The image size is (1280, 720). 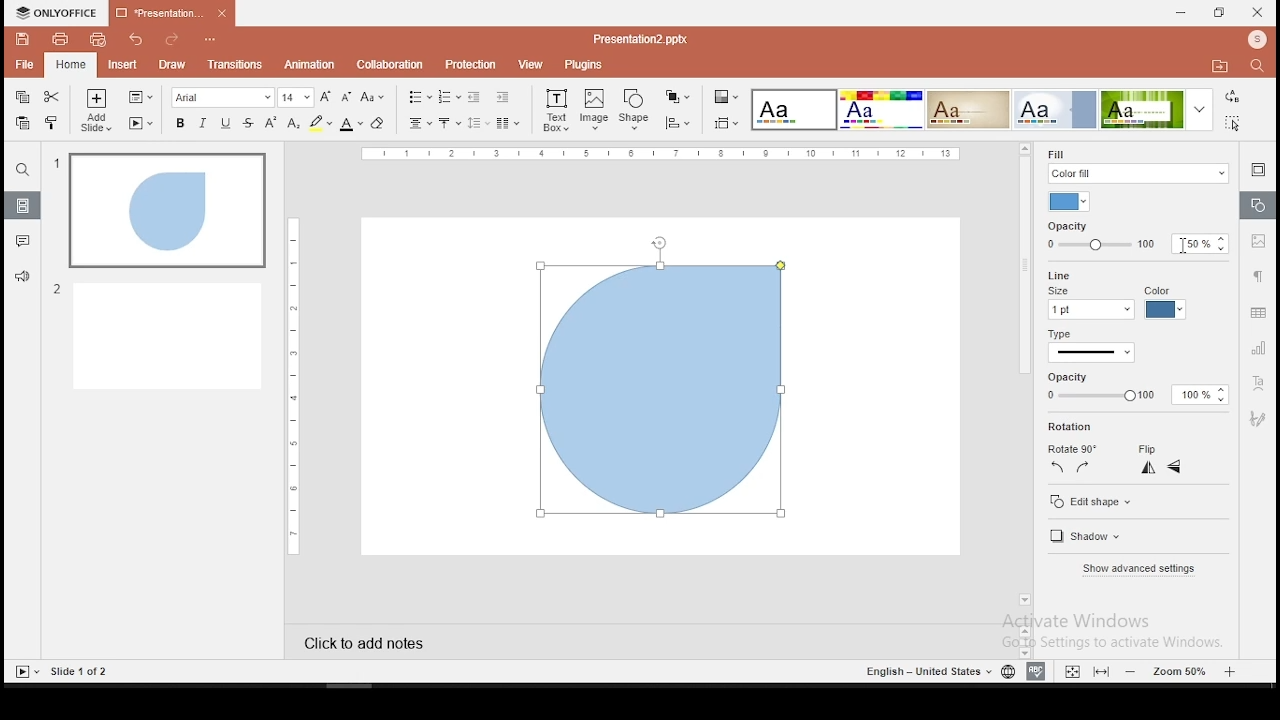 I want to click on zoom in, so click(x=1132, y=671).